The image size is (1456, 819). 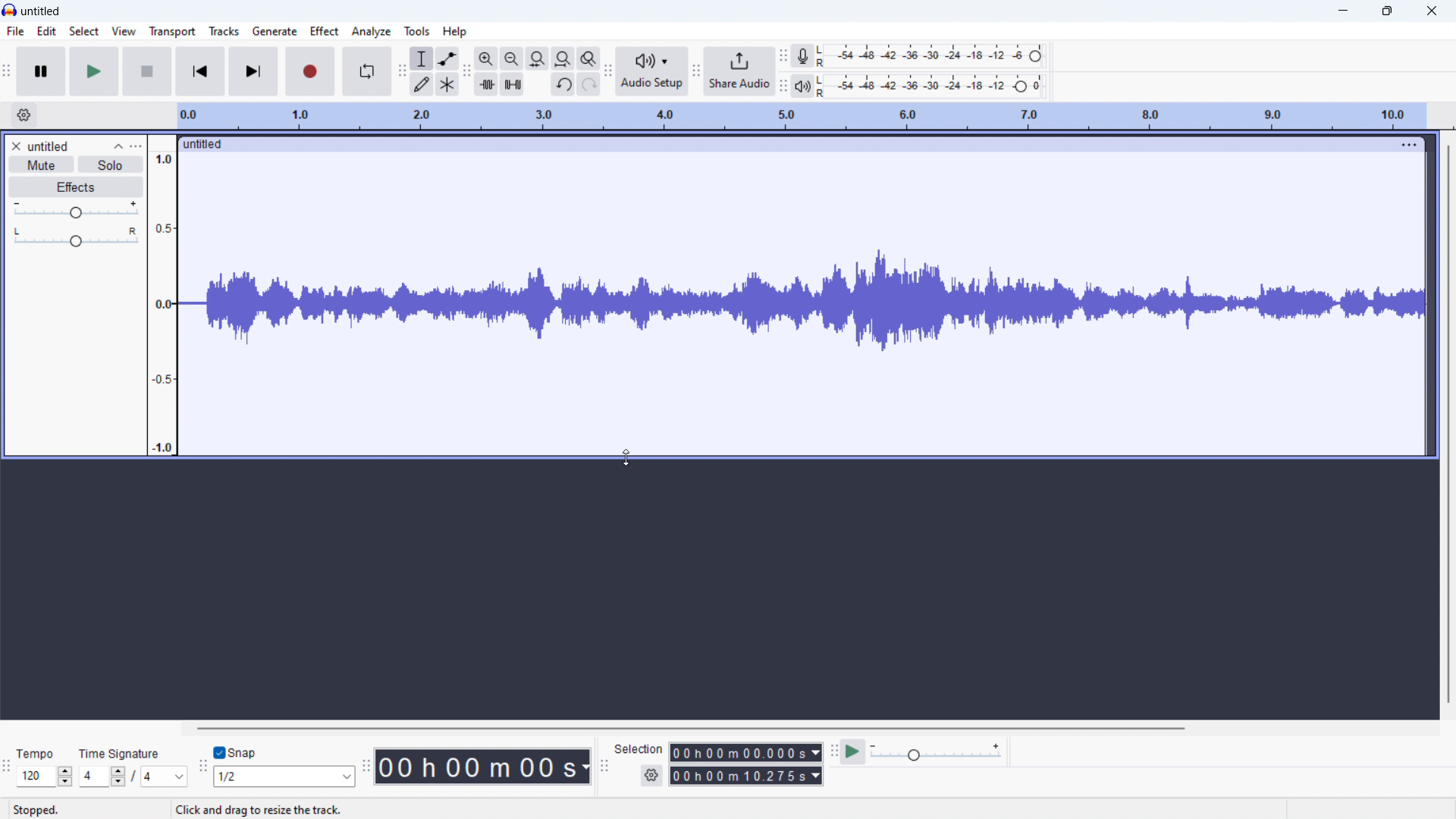 What do you see at coordinates (456, 32) in the screenshot?
I see `help` at bounding box center [456, 32].